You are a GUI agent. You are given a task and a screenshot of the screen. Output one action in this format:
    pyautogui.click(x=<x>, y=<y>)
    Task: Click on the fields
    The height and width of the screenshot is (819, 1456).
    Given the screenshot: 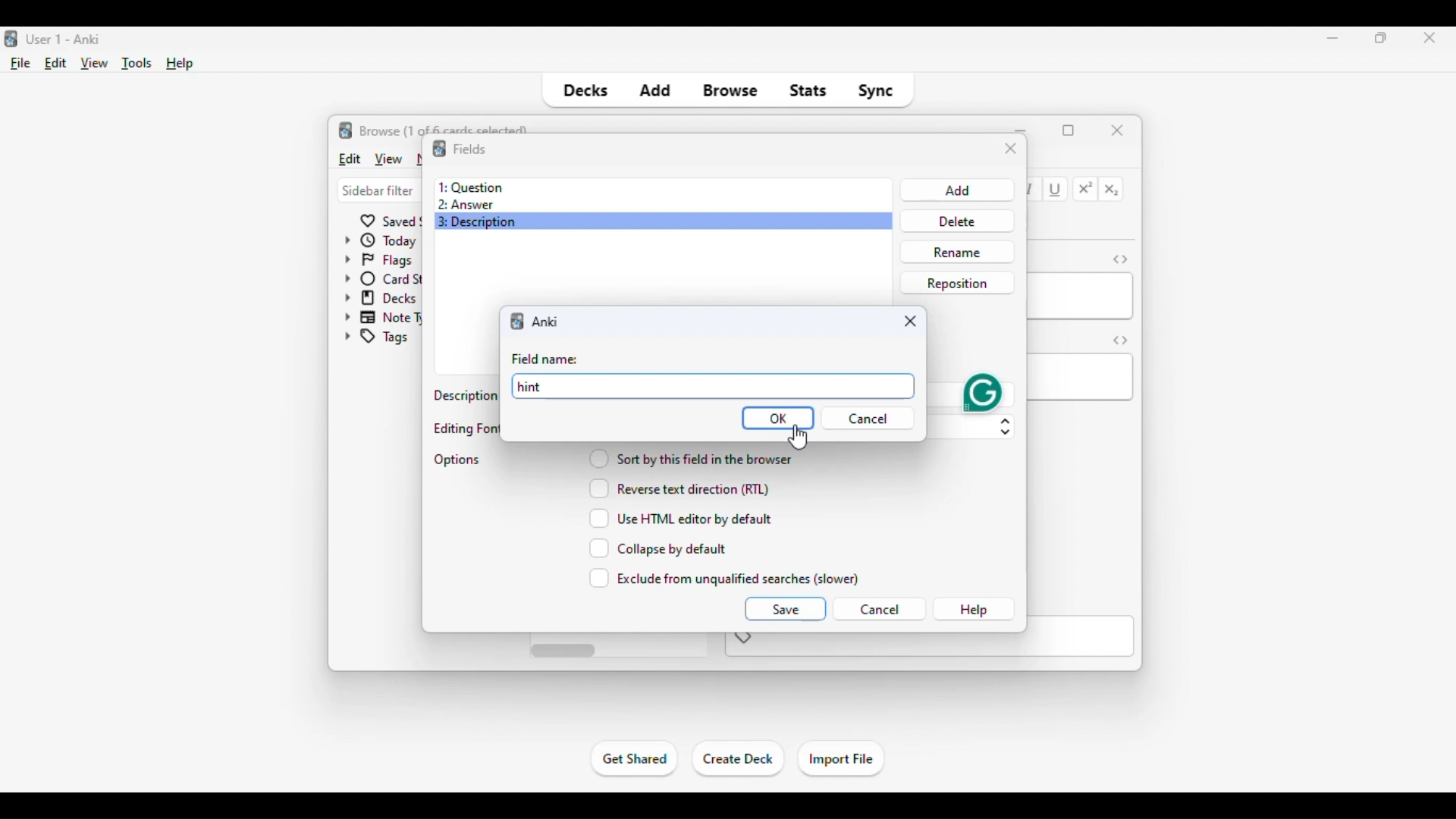 What is the action you would take?
    pyautogui.click(x=469, y=148)
    